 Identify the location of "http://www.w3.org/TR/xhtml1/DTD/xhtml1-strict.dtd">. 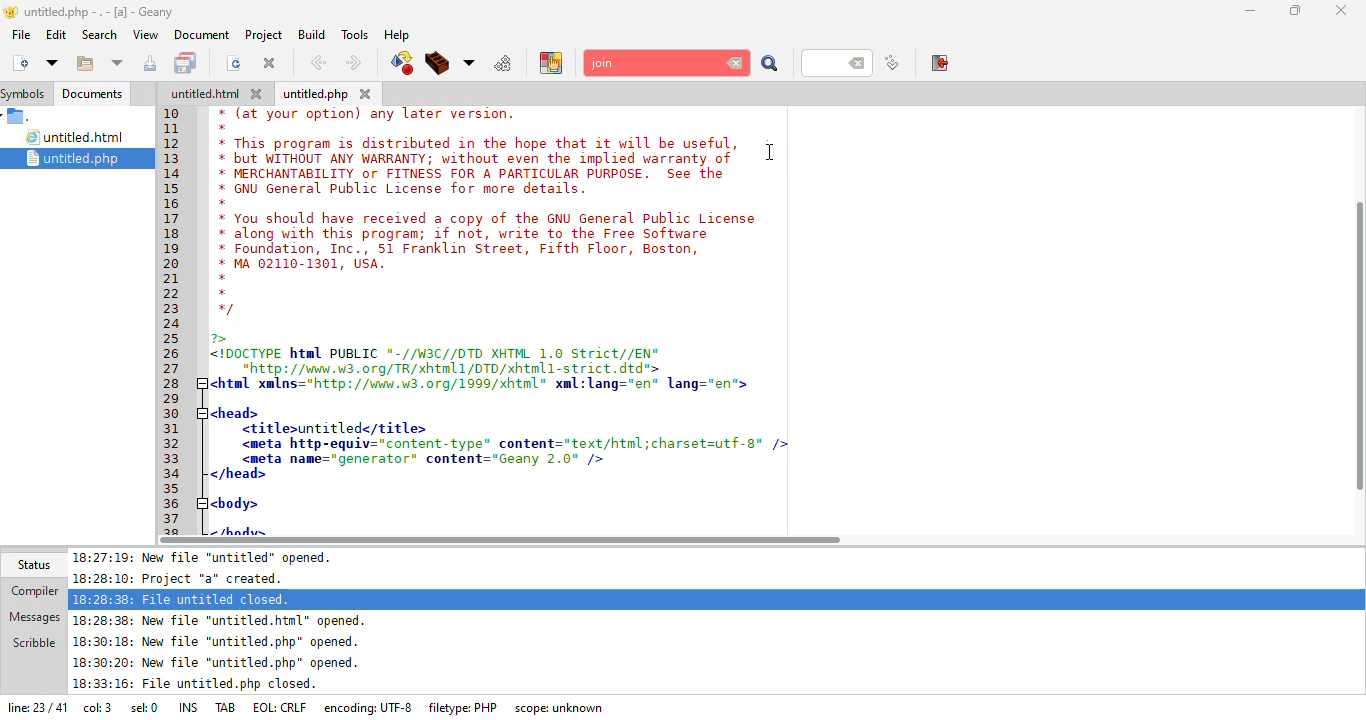
(437, 368).